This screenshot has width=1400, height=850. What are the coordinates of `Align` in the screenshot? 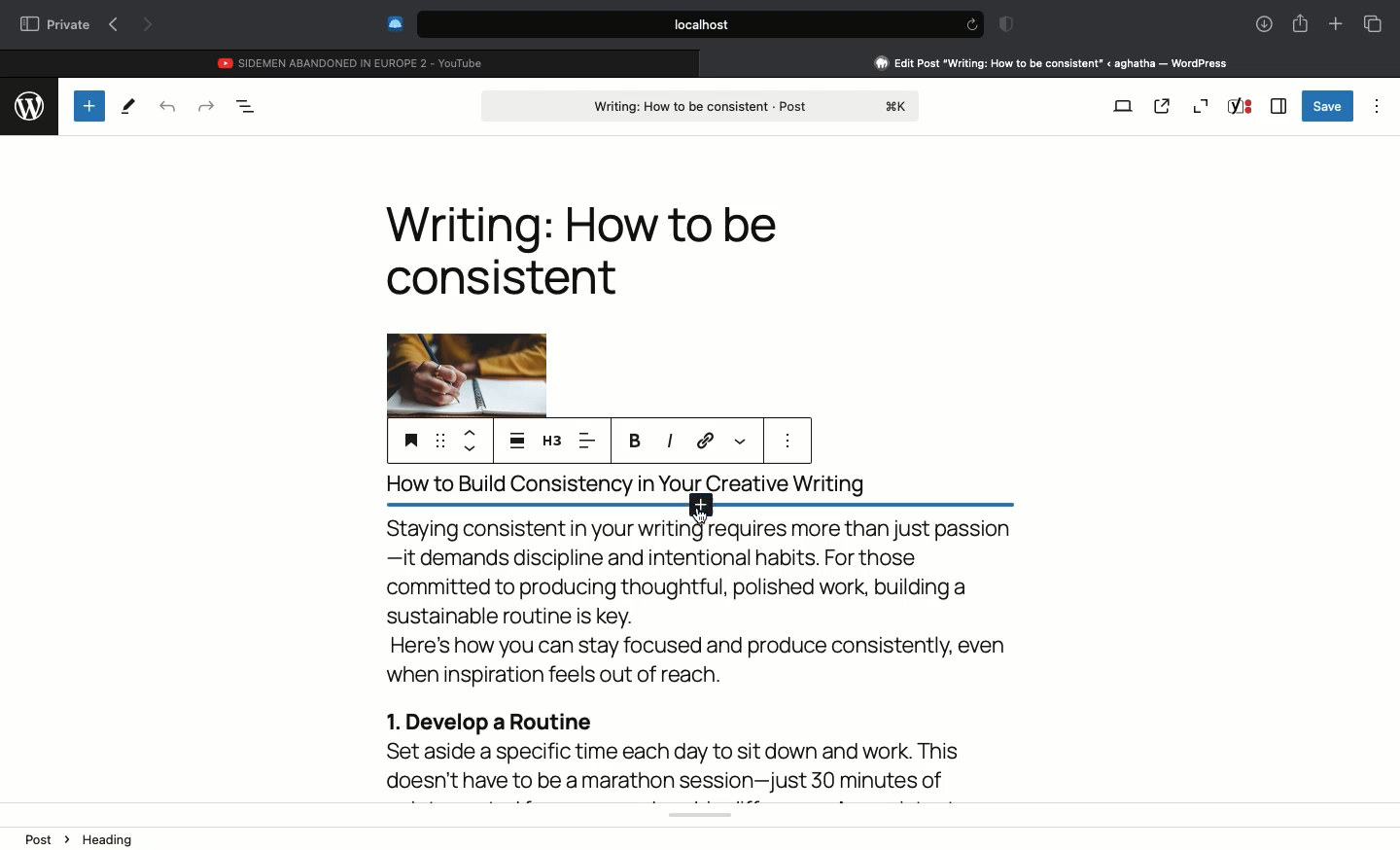 It's located at (517, 443).